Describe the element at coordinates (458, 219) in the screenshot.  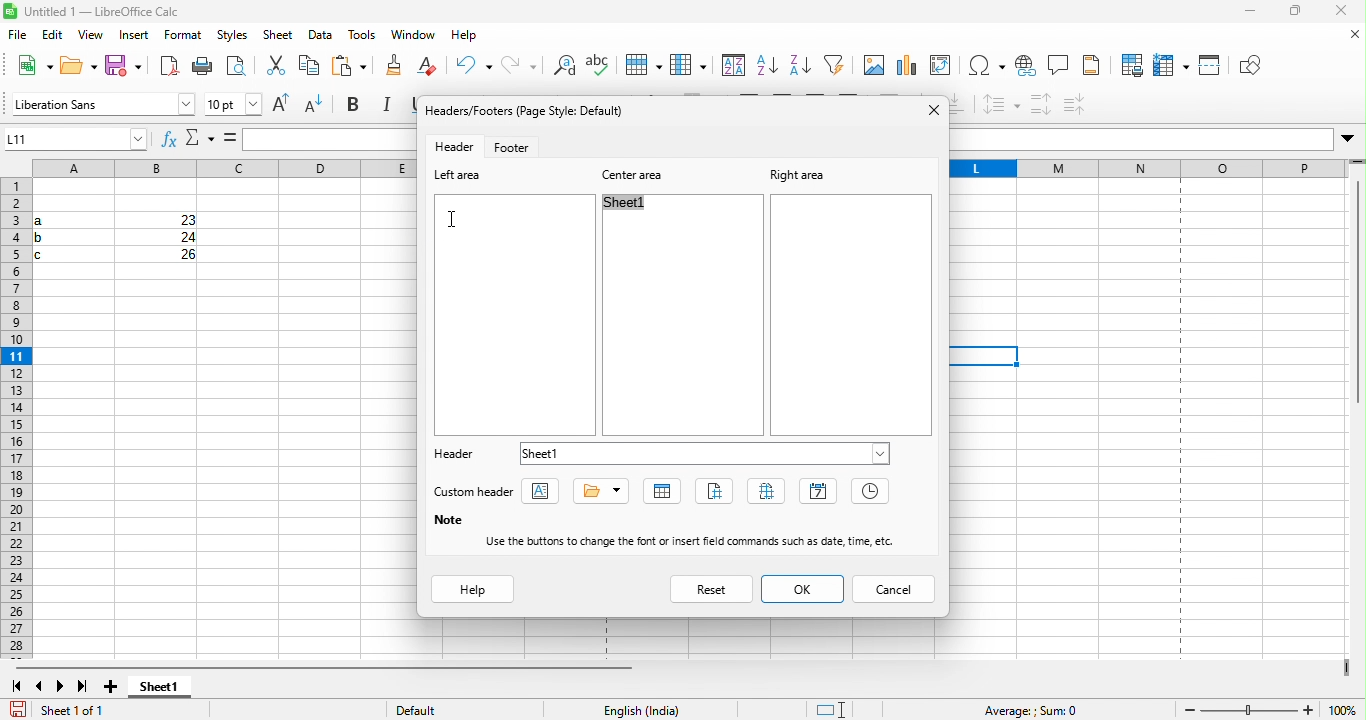
I see `cursor movement` at that location.